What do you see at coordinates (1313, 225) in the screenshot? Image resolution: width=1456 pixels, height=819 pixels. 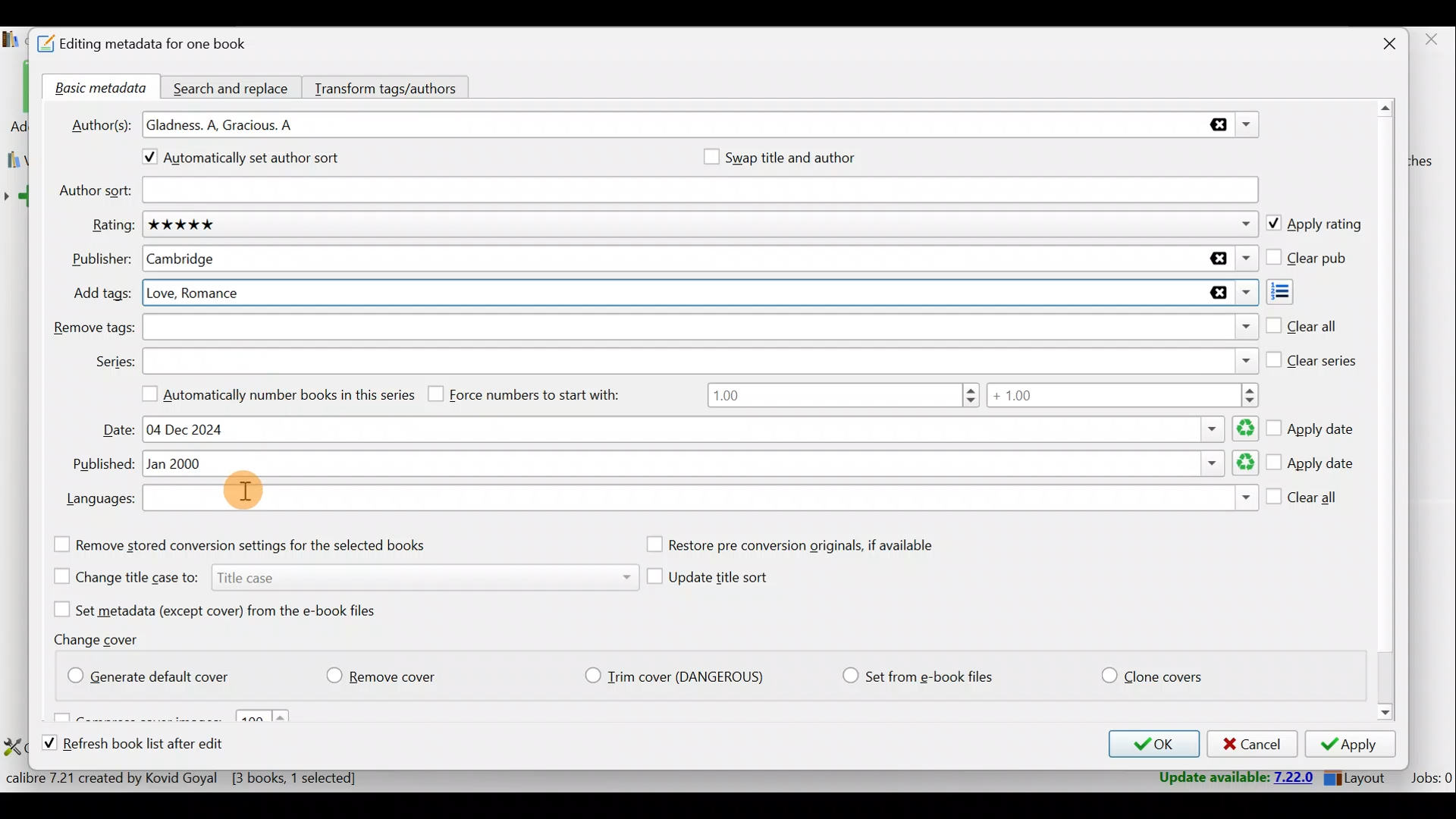 I see `Apply rating` at bounding box center [1313, 225].